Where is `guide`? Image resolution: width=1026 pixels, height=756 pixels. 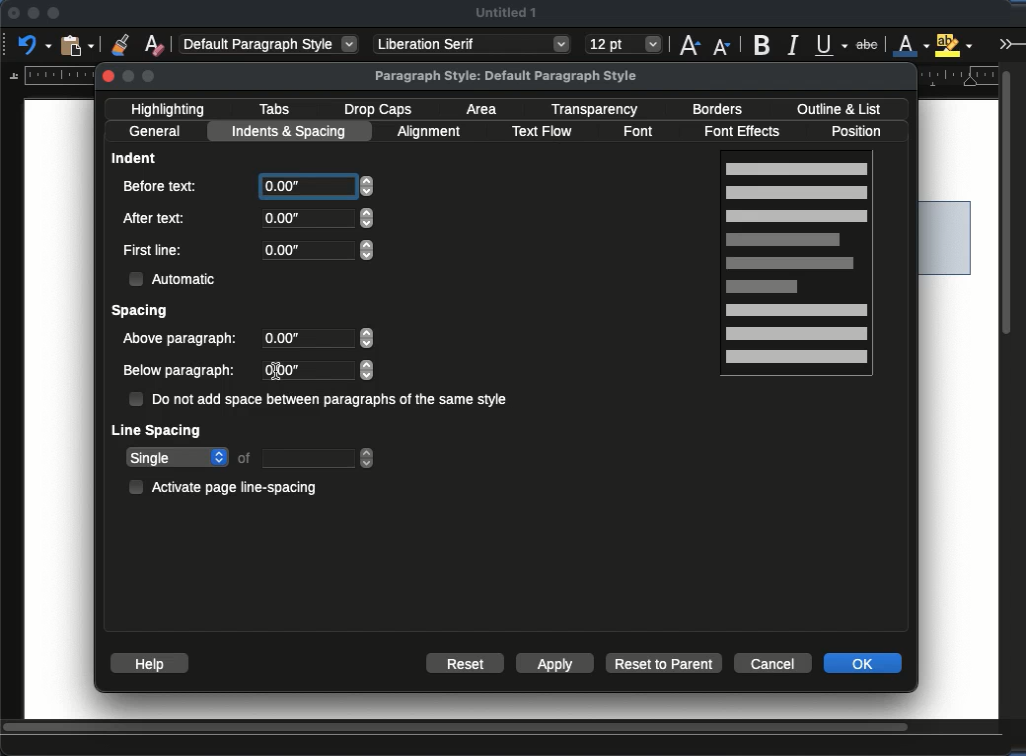 guide is located at coordinates (48, 75).